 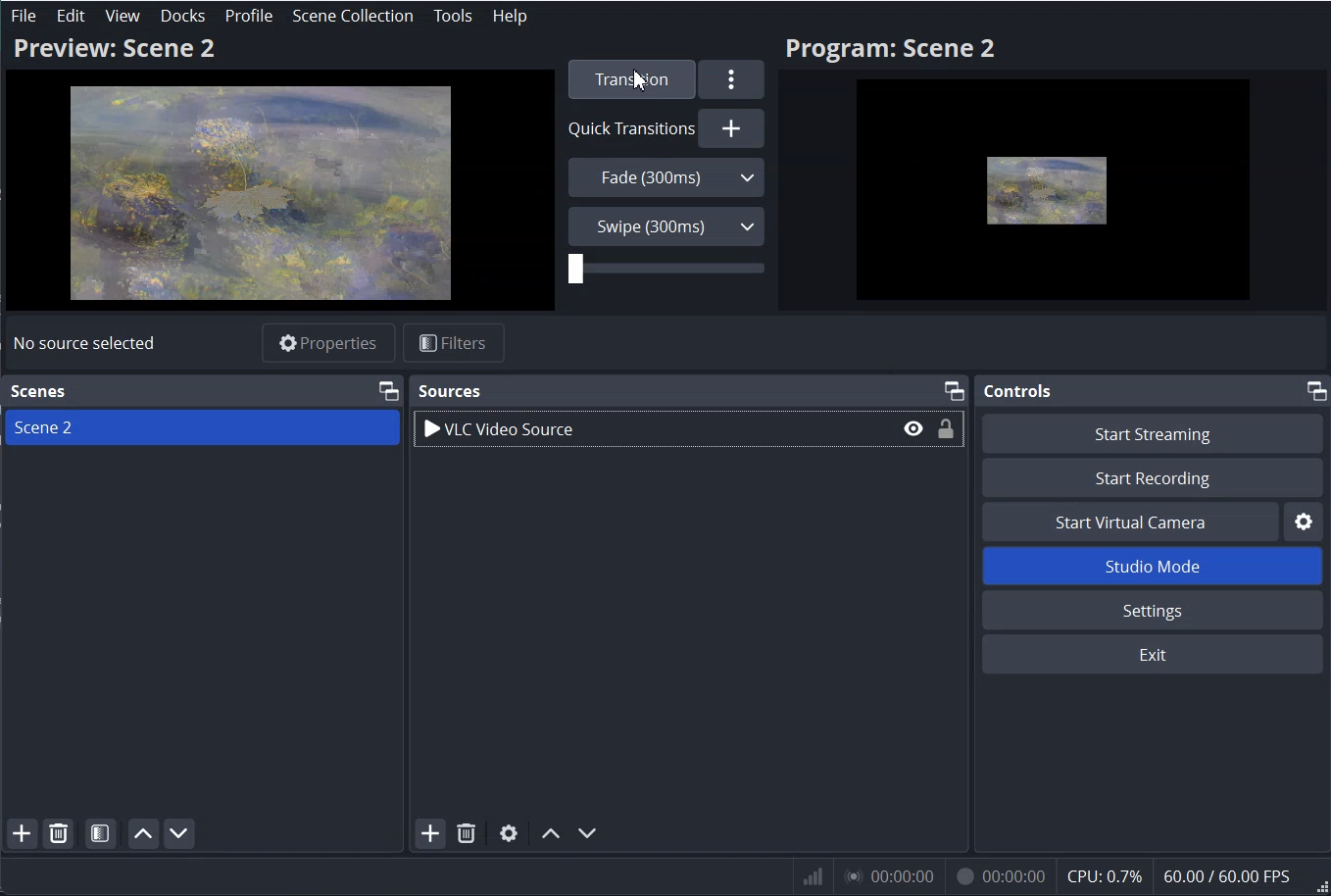 I want to click on Move Source Up, so click(x=548, y=832).